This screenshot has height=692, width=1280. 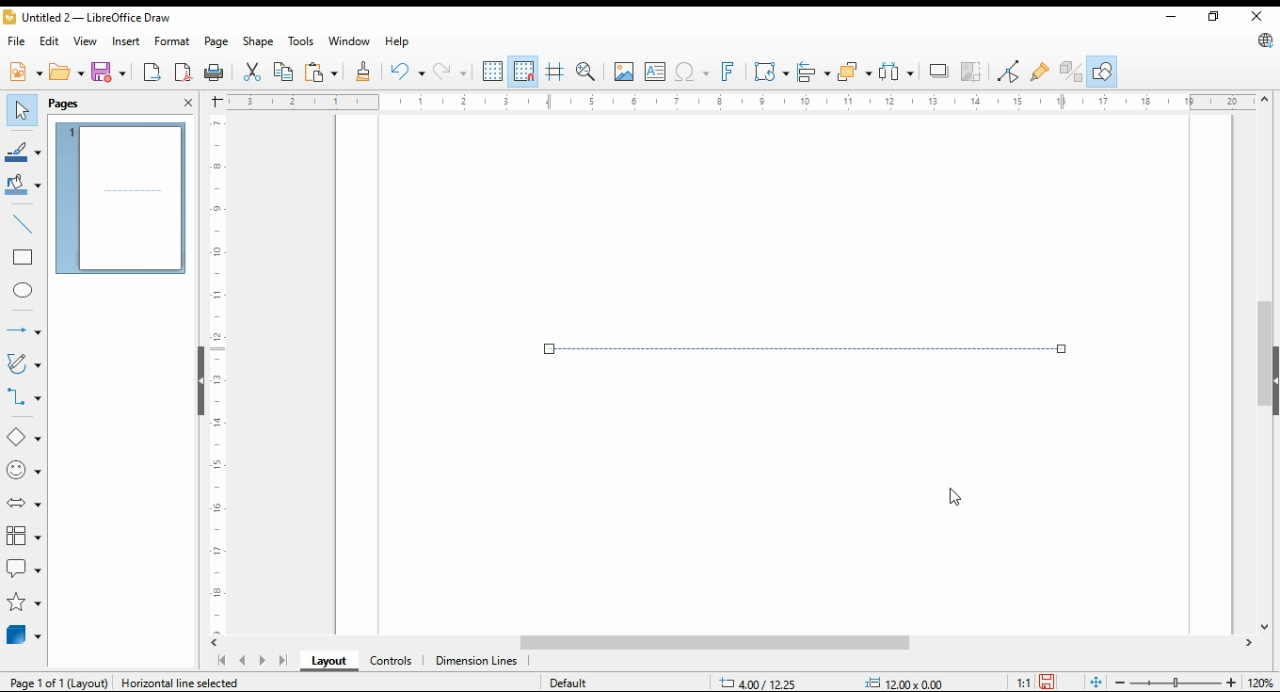 I want to click on page 1 of 1, so click(x=57, y=681).